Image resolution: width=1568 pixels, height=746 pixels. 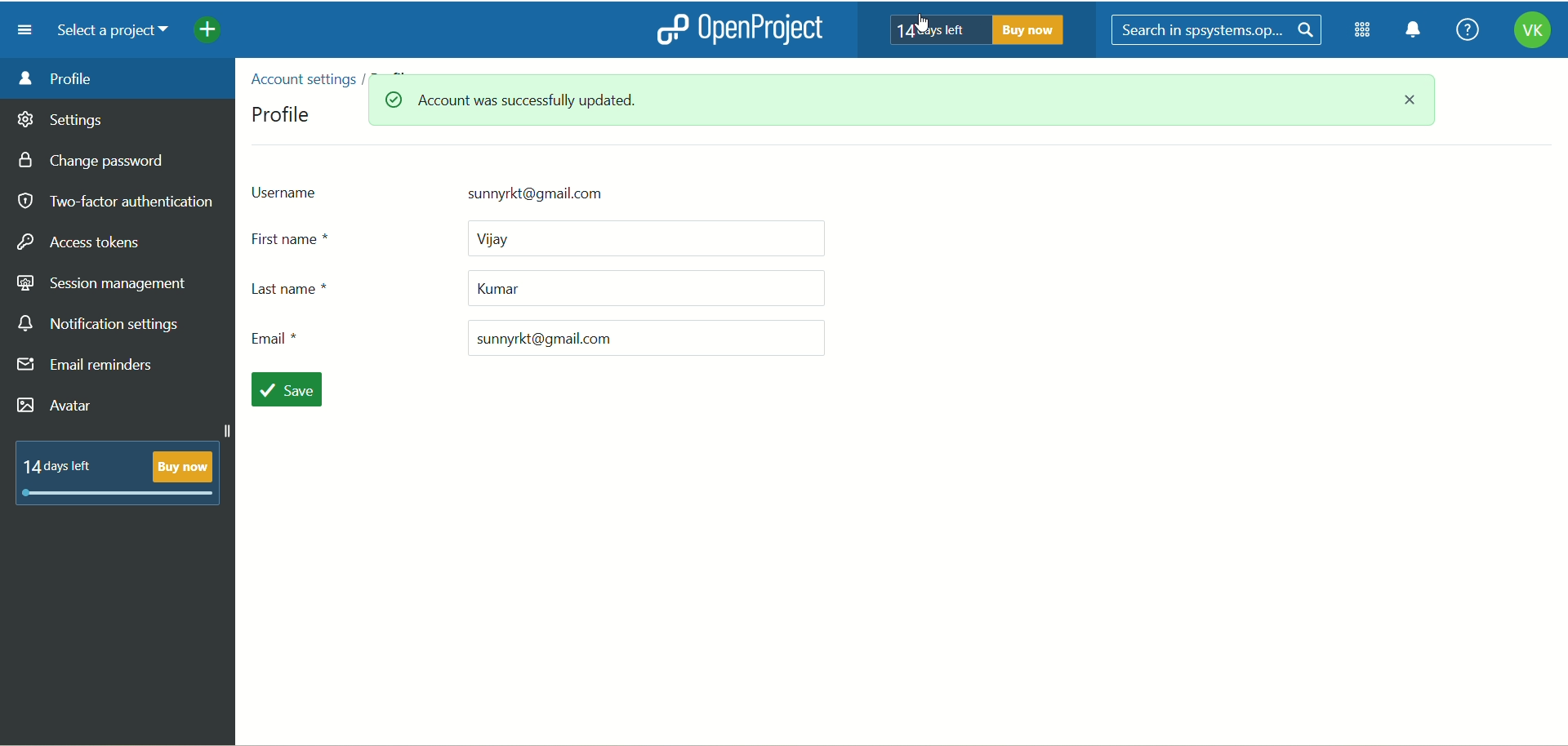 I want to click on profile, so click(x=283, y=113).